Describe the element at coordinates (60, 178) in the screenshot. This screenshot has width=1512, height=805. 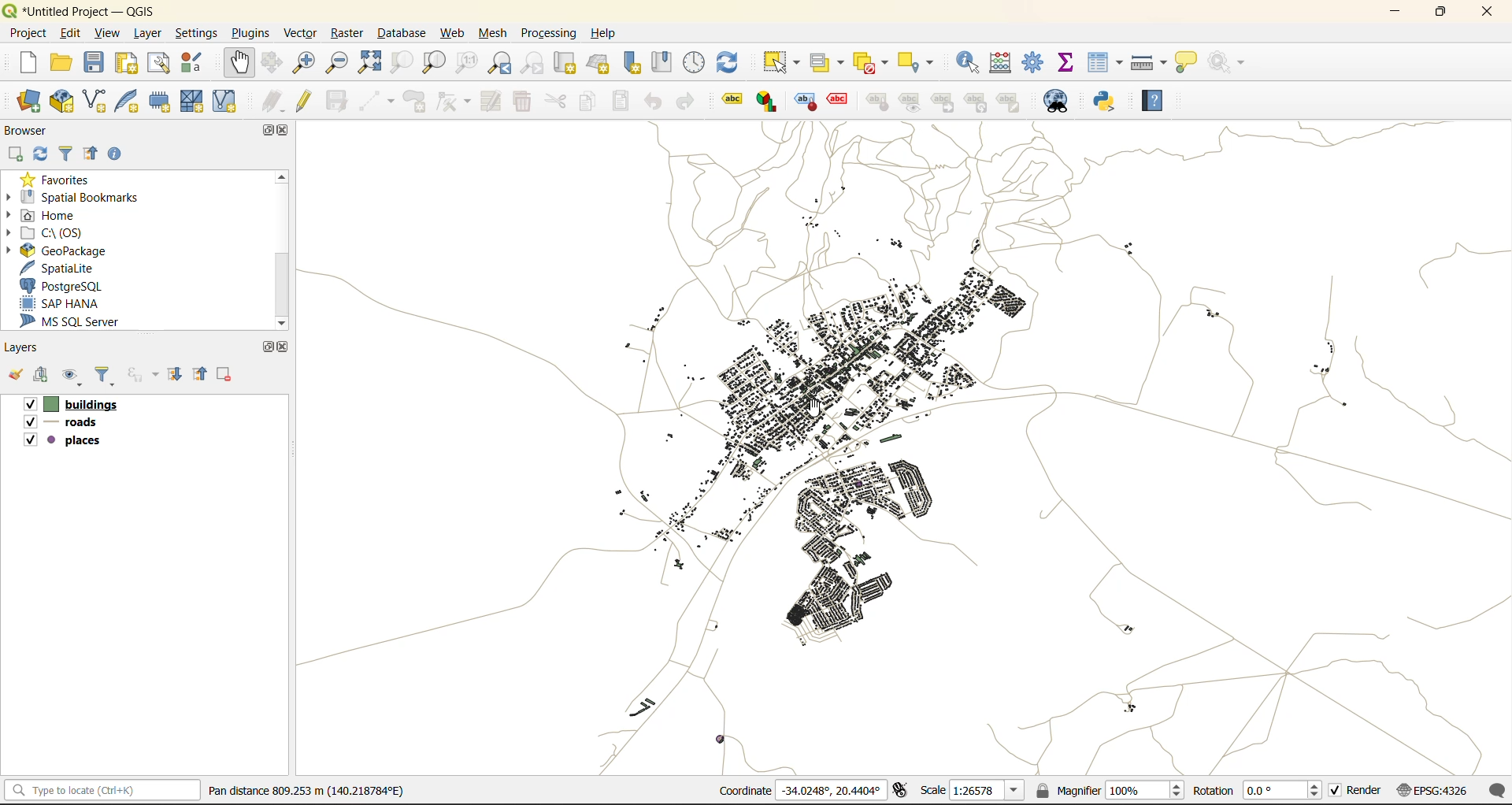
I see `favorites` at that location.